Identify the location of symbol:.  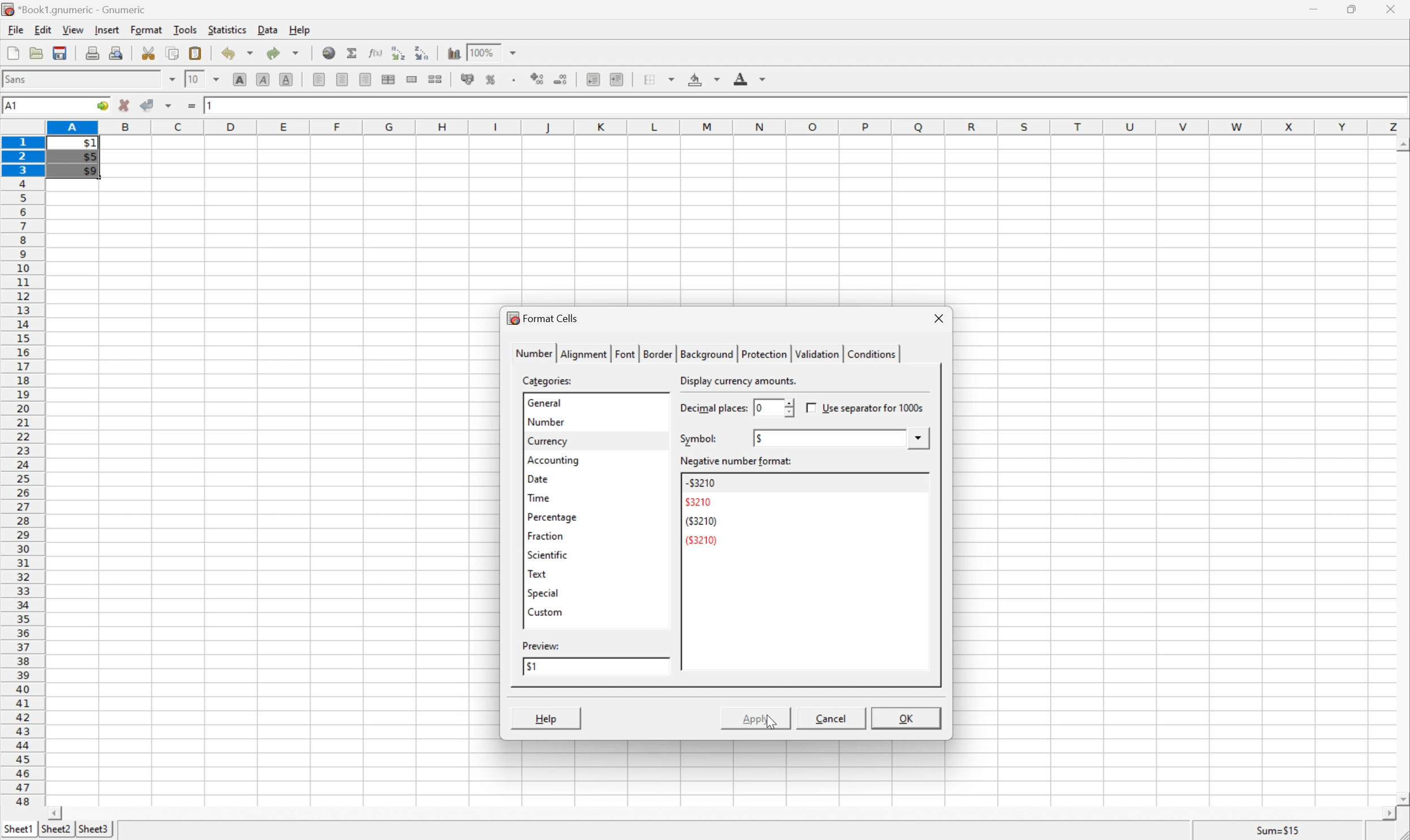
(699, 439).